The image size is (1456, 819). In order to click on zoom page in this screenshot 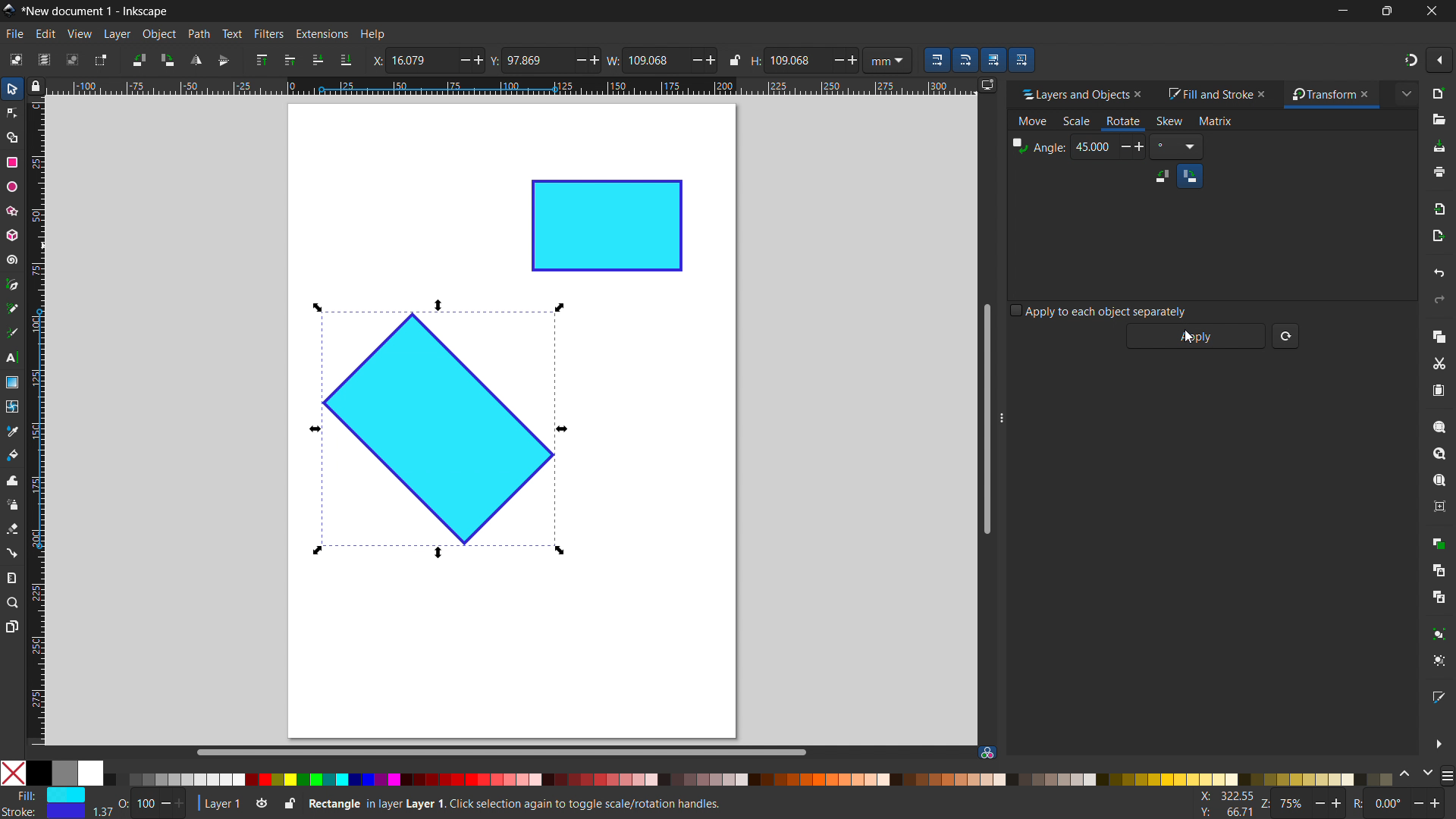, I will do `click(1439, 481)`.